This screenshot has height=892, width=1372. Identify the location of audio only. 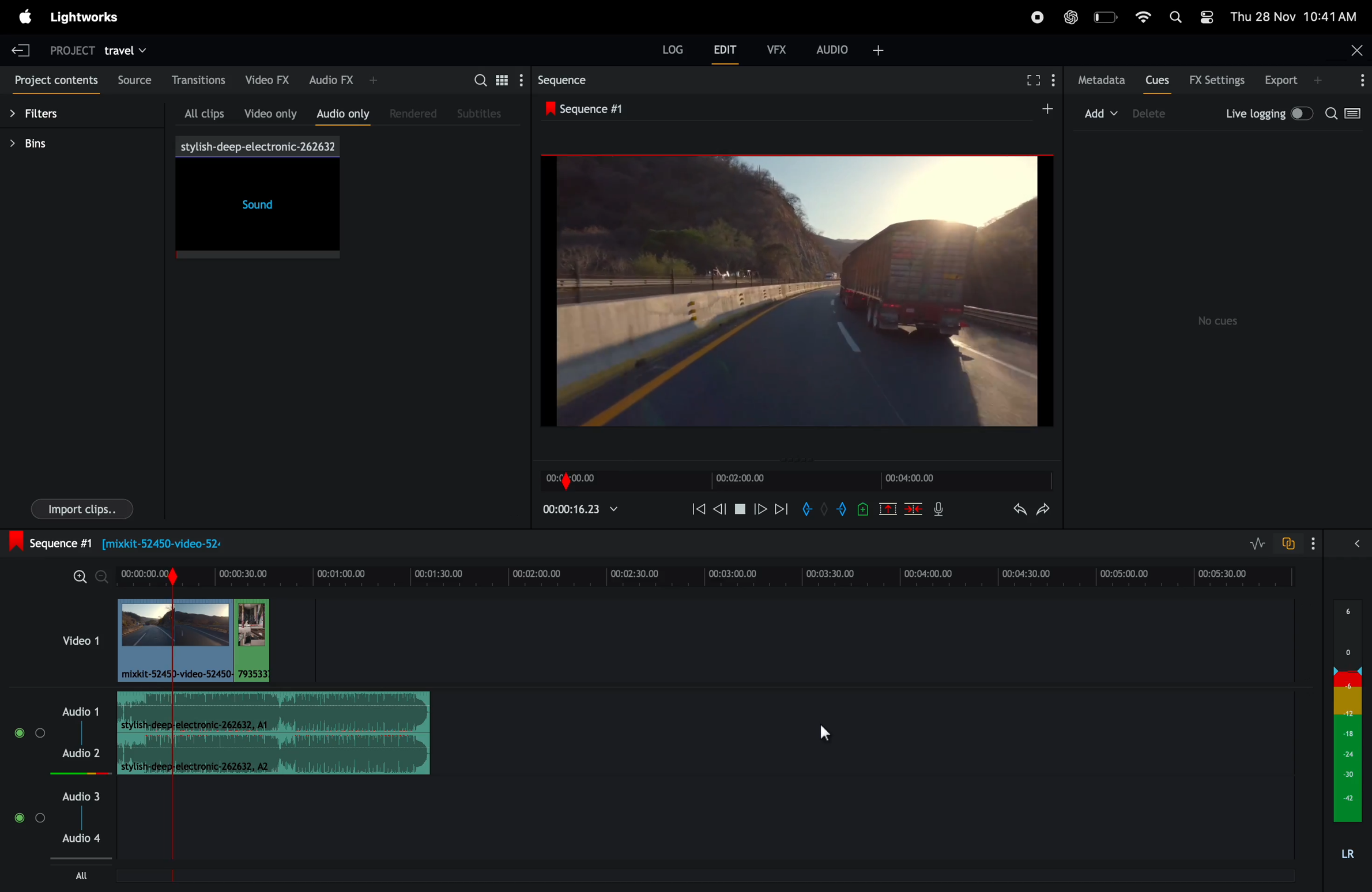
(340, 114).